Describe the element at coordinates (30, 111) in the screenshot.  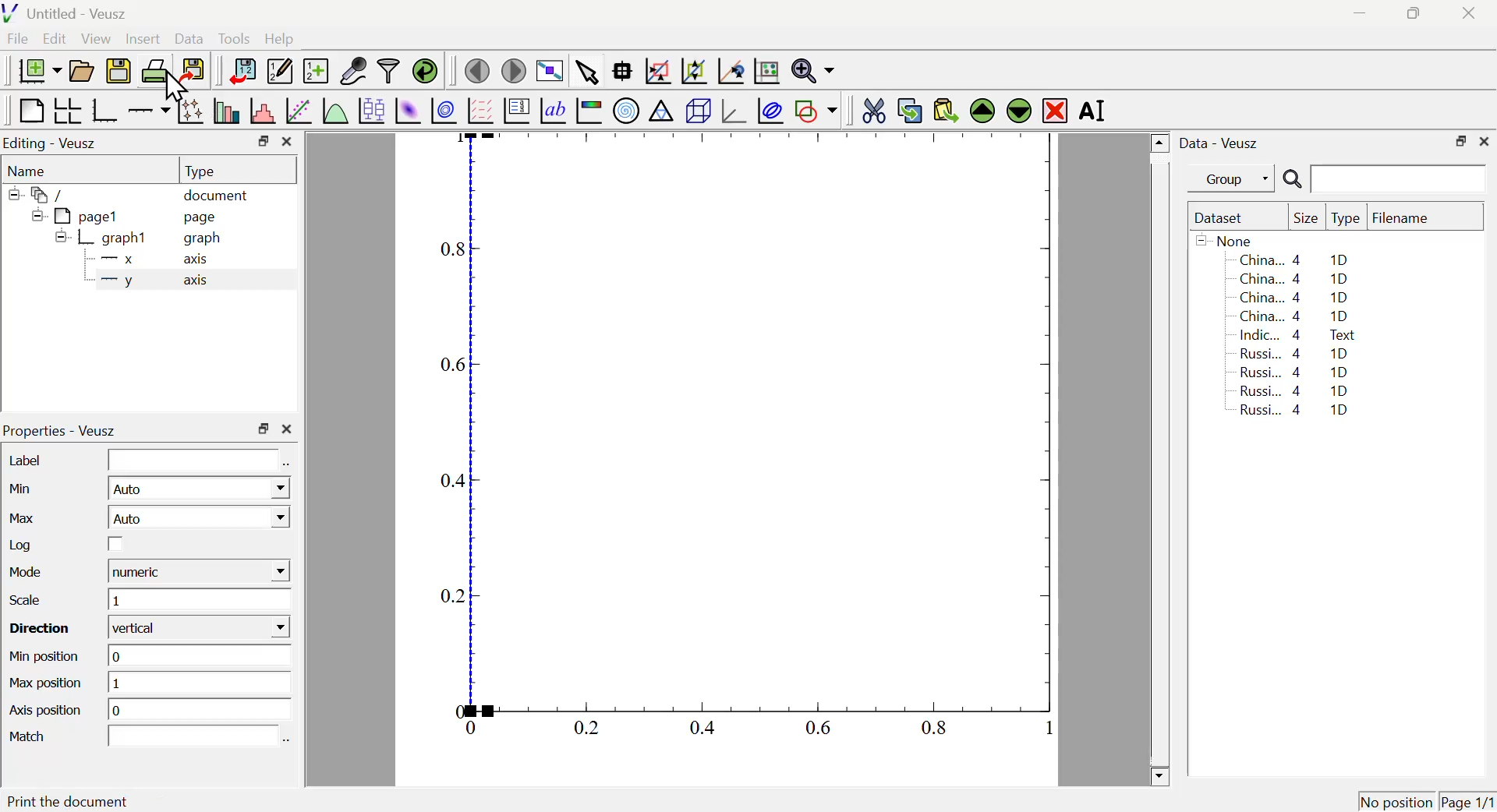
I see `Blank Page` at that location.